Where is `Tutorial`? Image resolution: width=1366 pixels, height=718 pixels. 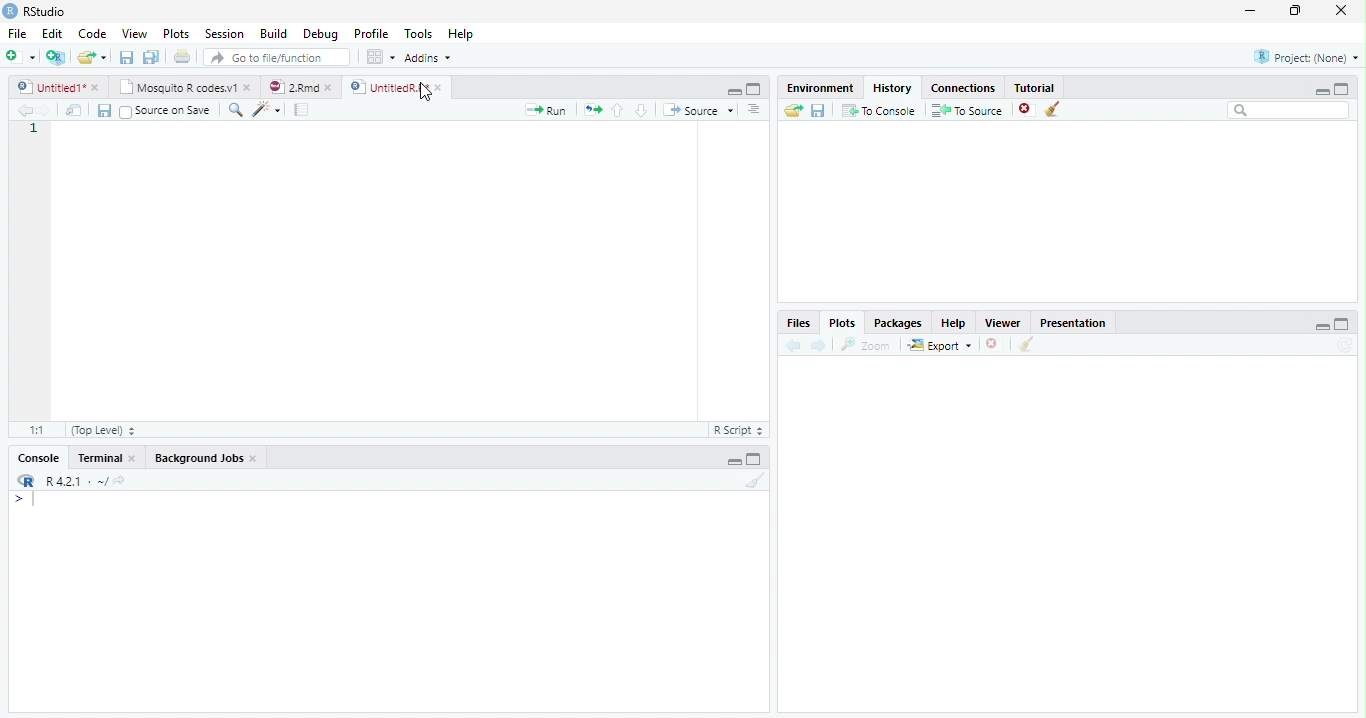 Tutorial is located at coordinates (1036, 86).